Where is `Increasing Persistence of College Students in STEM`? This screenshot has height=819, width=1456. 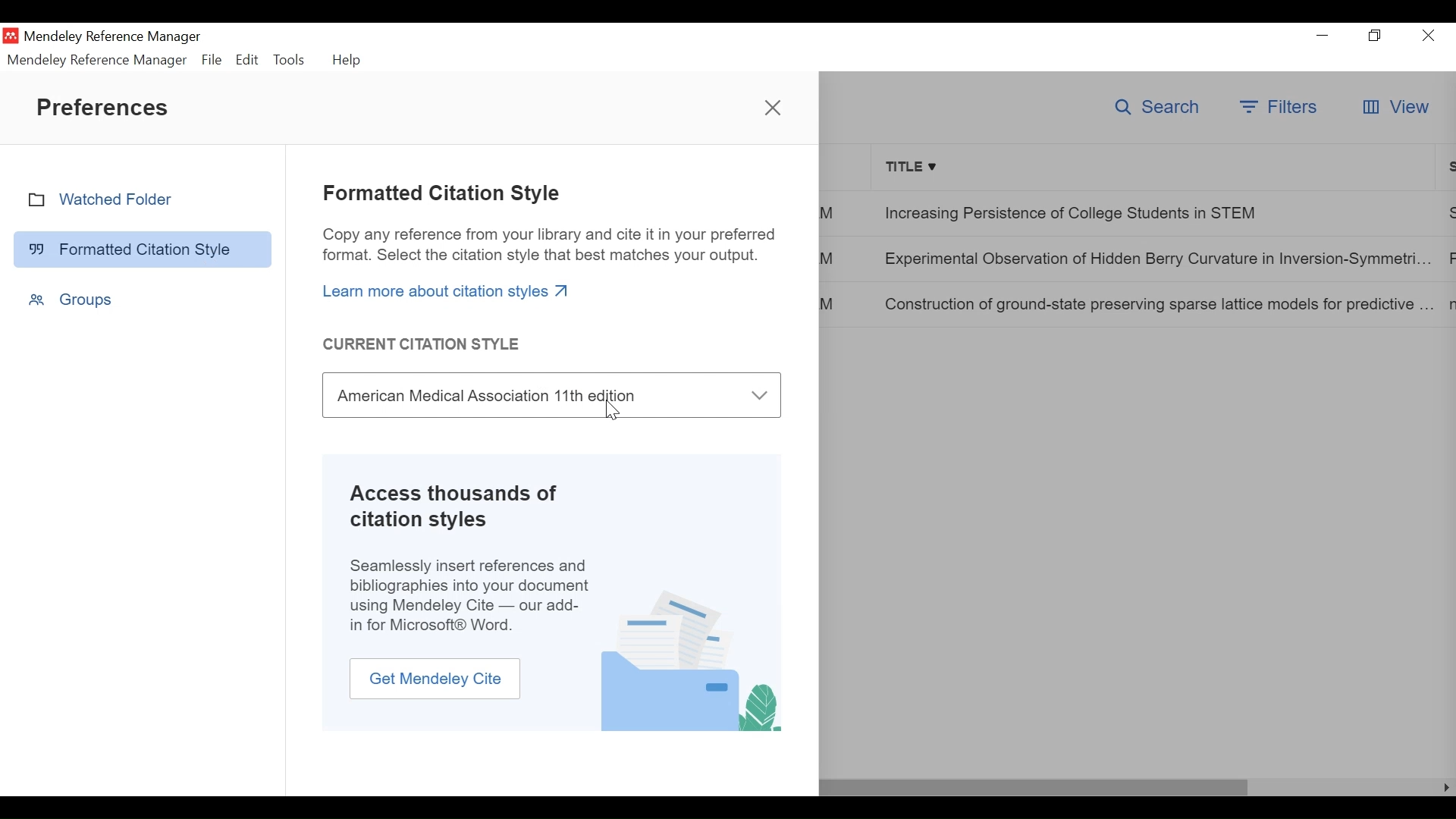
Increasing Persistence of College Students in STEM is located at coordinates (1153, 212).